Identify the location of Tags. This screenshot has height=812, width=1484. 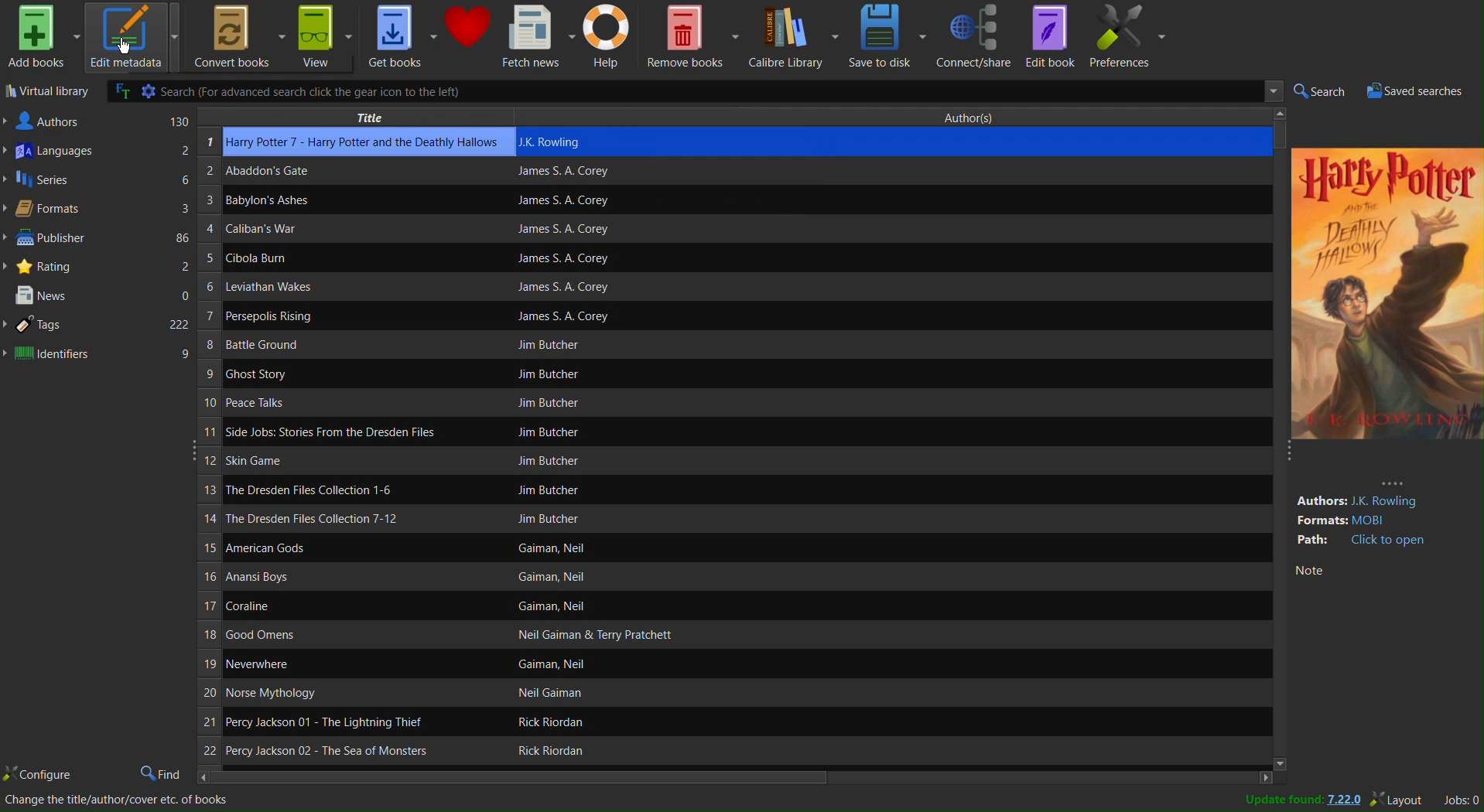
(99, 325).